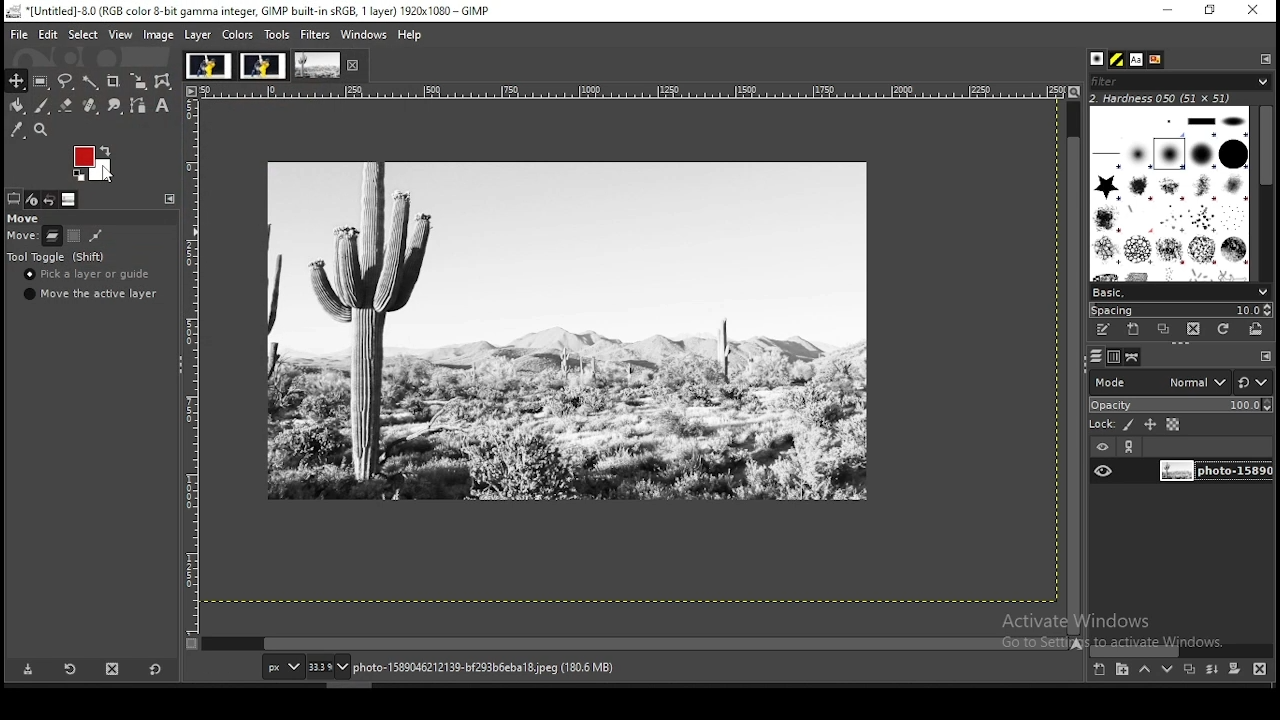 Image resolution: width=1280 pixels, height=720 pixels. What do you see at coordinates (1131, 447) in the screenshot?
I see `link` at bounding box center [1131, 447].